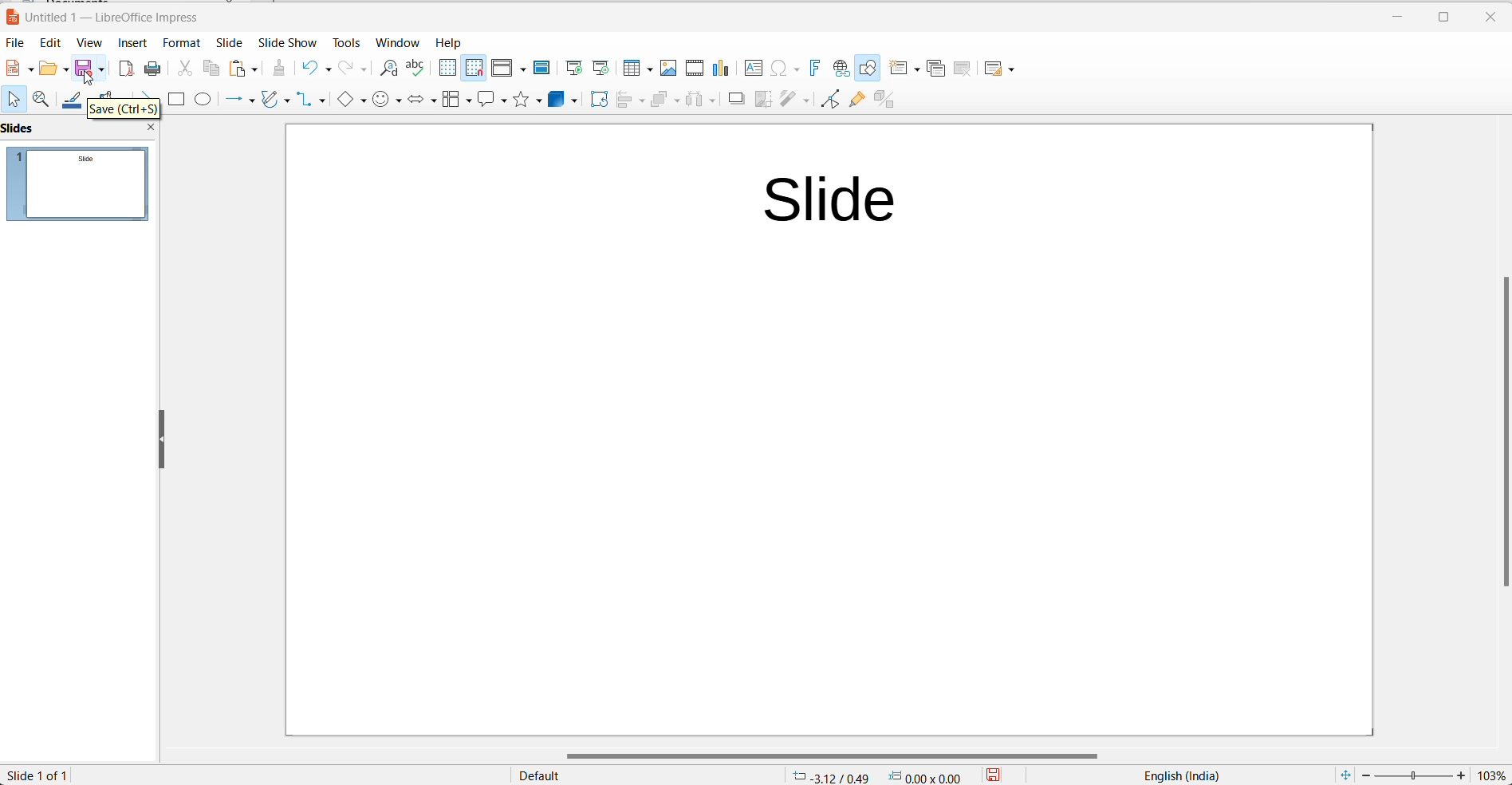 This screenshot has height=785, width=1512. Describe the element at coordinates (180, 44) in the screenshot. I see `format` at that location.